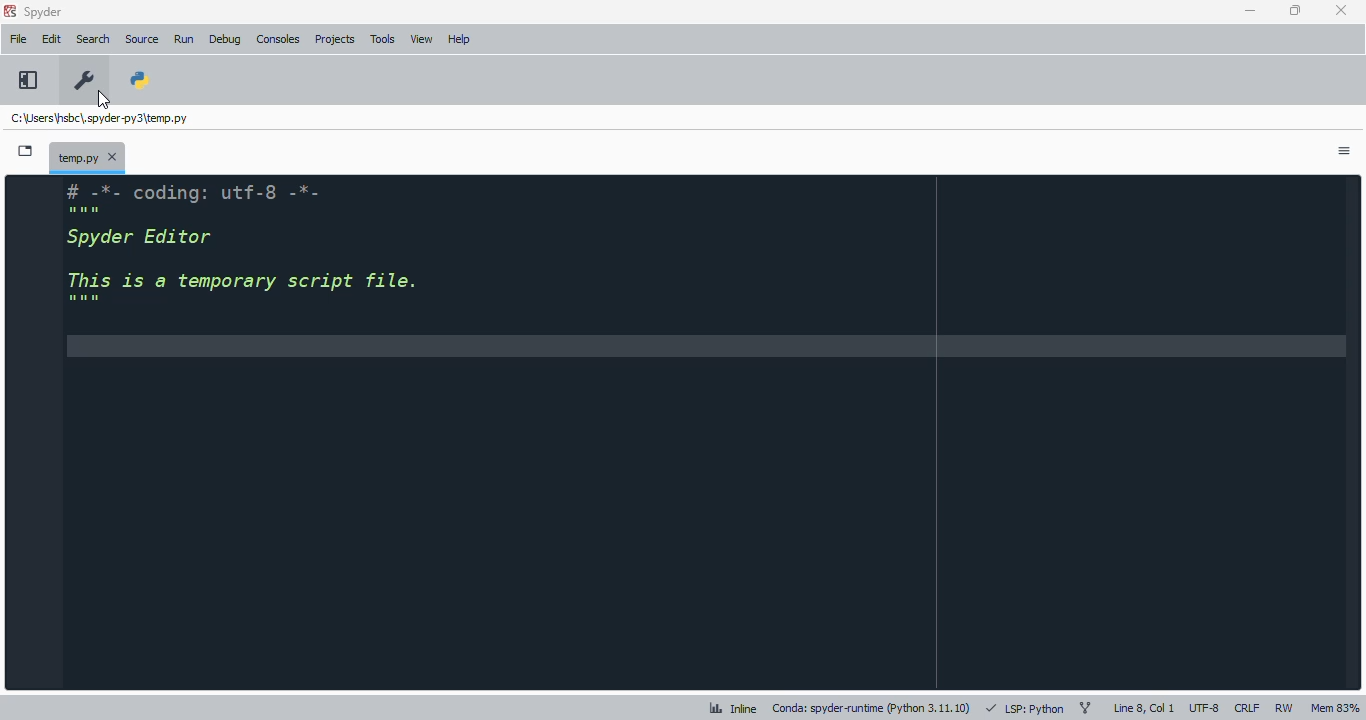  I want to click on cursor, so click(102, 98).